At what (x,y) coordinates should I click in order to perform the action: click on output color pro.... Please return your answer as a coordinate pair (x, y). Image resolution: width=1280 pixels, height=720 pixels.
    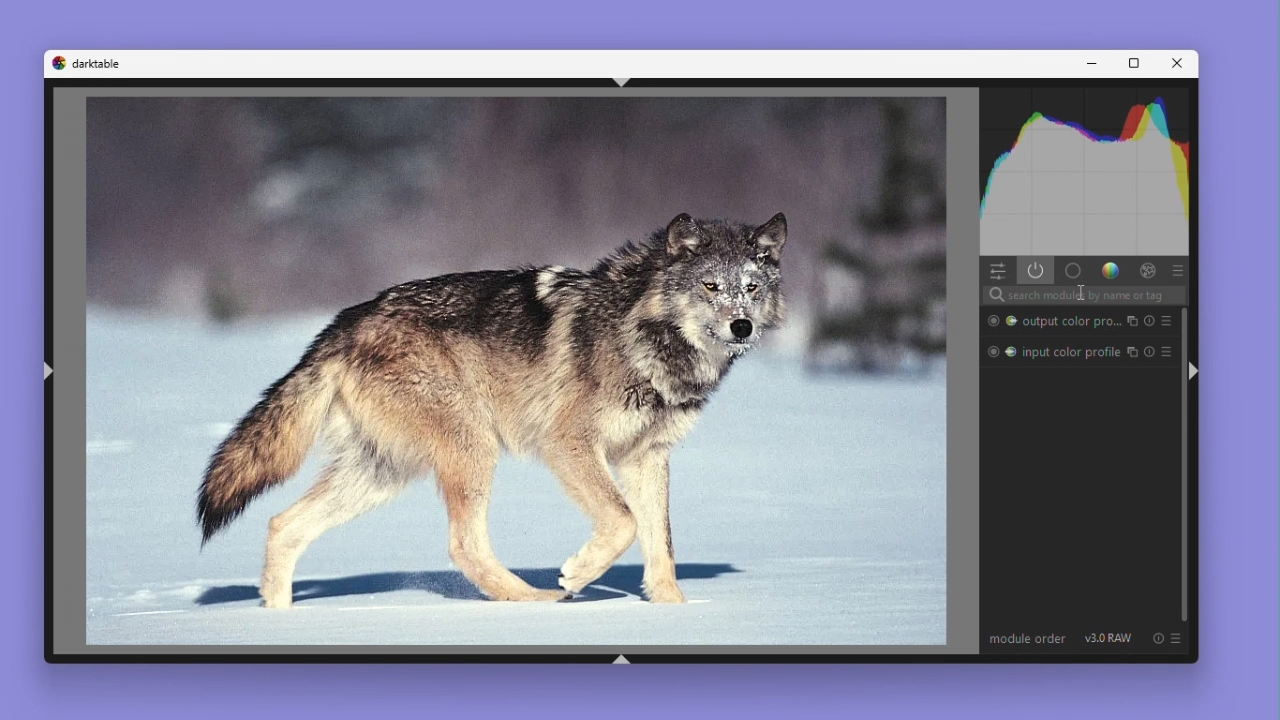
    Looking at the image, I should click on (1073, 321).